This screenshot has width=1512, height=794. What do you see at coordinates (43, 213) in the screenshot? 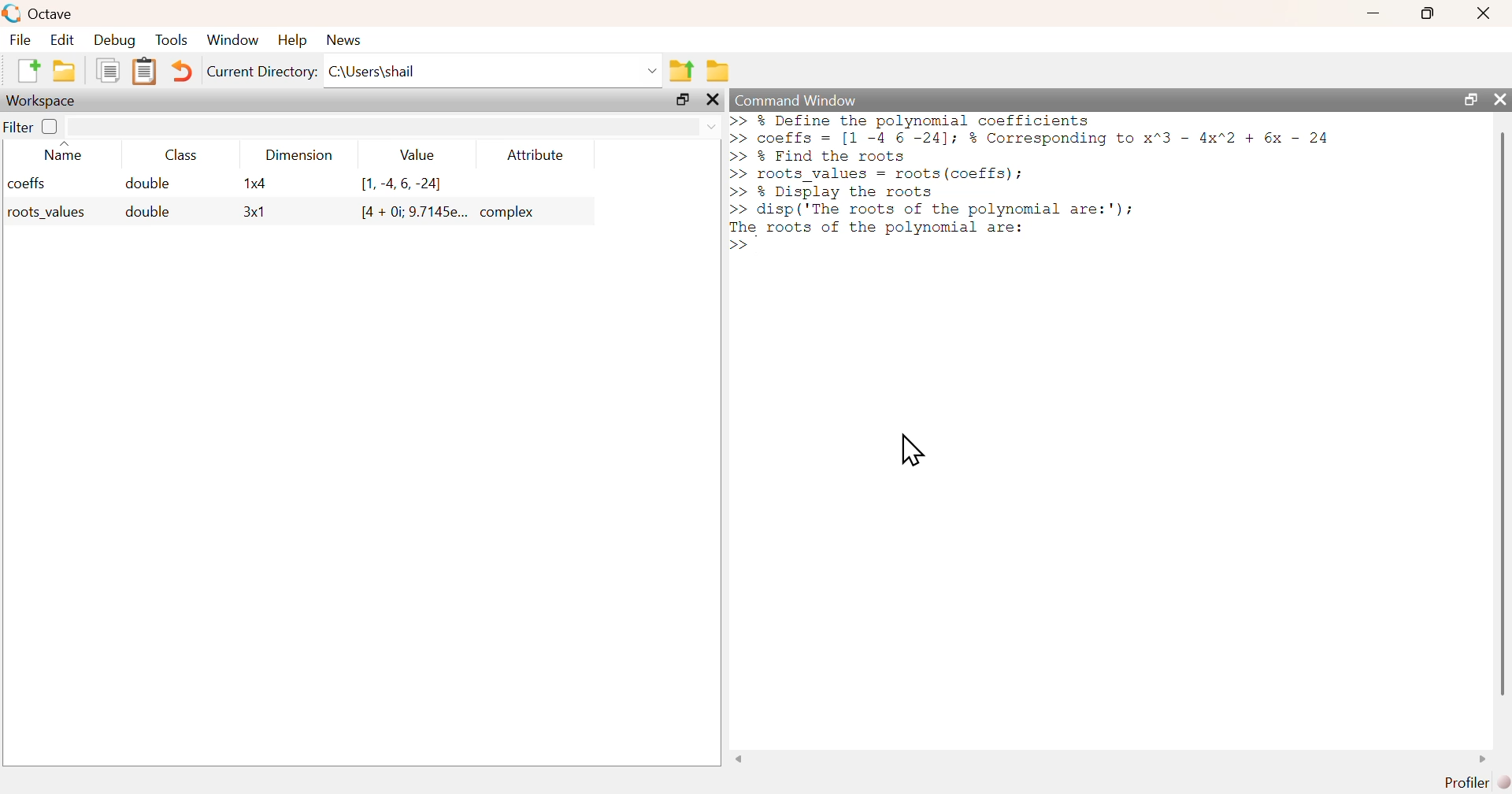
I see `roots values` at bounding box center [43, 213].